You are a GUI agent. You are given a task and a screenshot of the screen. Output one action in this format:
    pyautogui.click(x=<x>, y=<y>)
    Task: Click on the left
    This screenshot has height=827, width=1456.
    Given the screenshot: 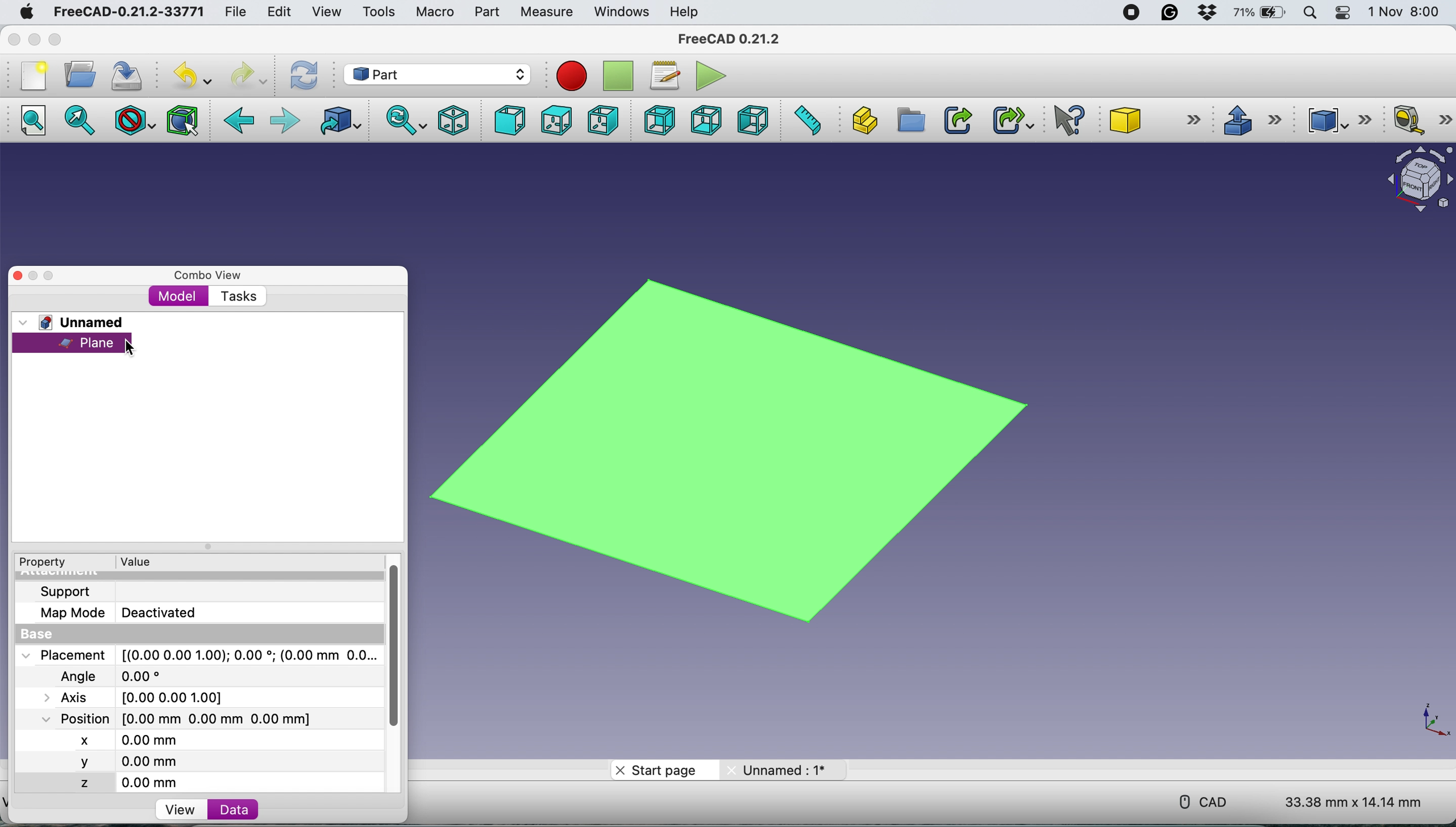 What is the action you would take?
    pyautogui.click(x=752, y=121)
    